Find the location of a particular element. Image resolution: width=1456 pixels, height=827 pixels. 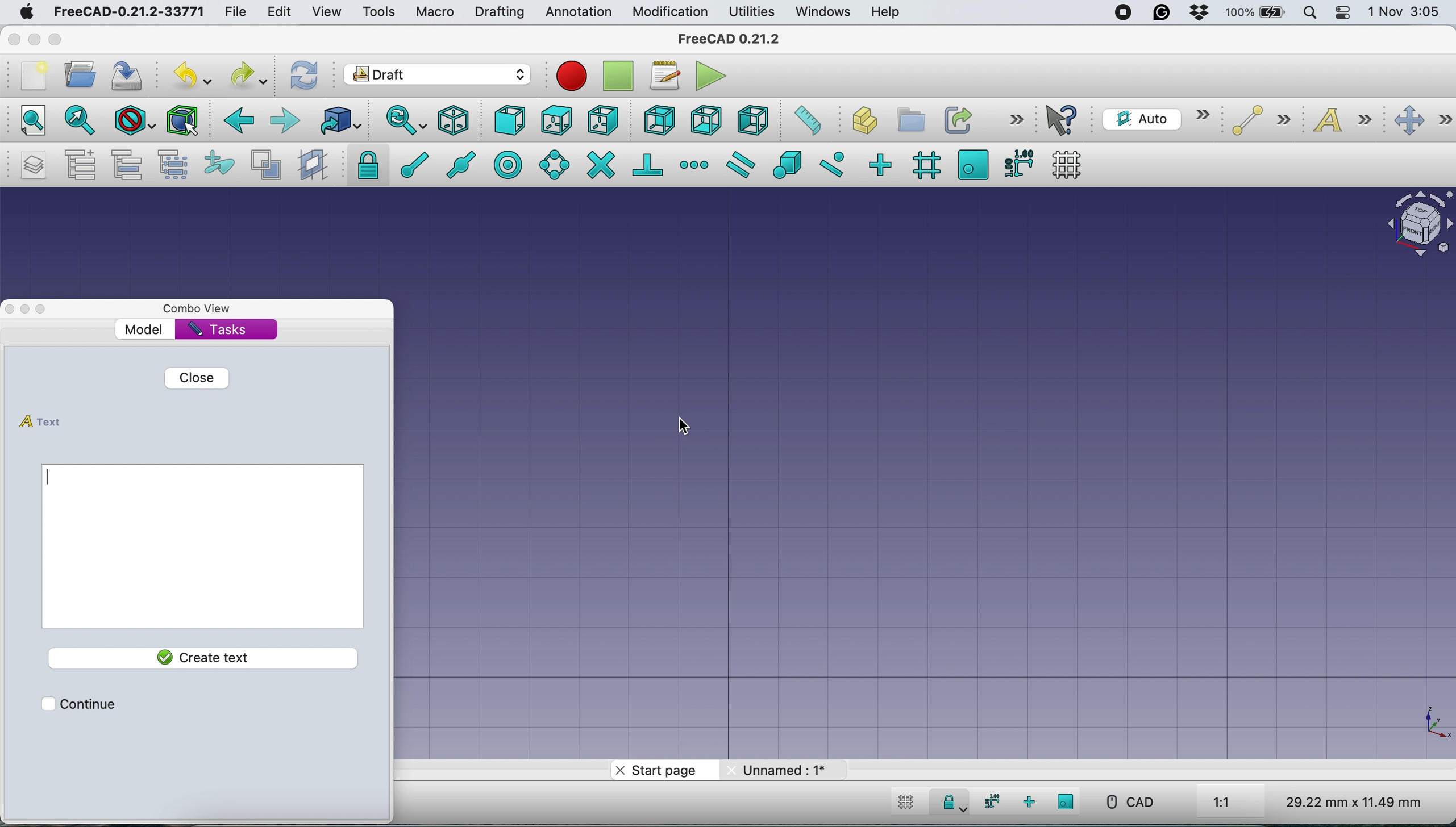

modification is located at coordinates (671, 12).